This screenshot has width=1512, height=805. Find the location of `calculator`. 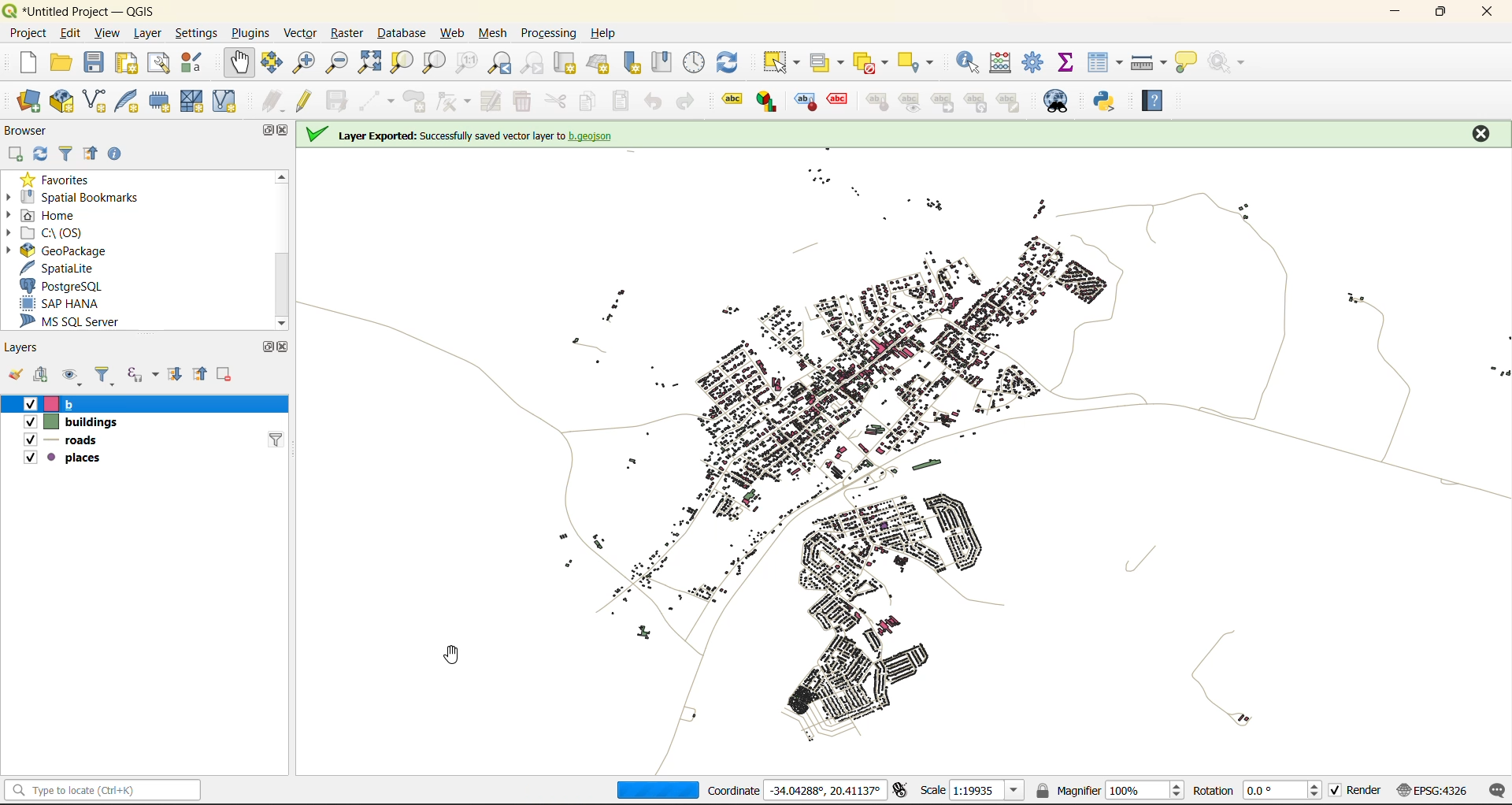

calculator is located at coordinates (1005, 62).